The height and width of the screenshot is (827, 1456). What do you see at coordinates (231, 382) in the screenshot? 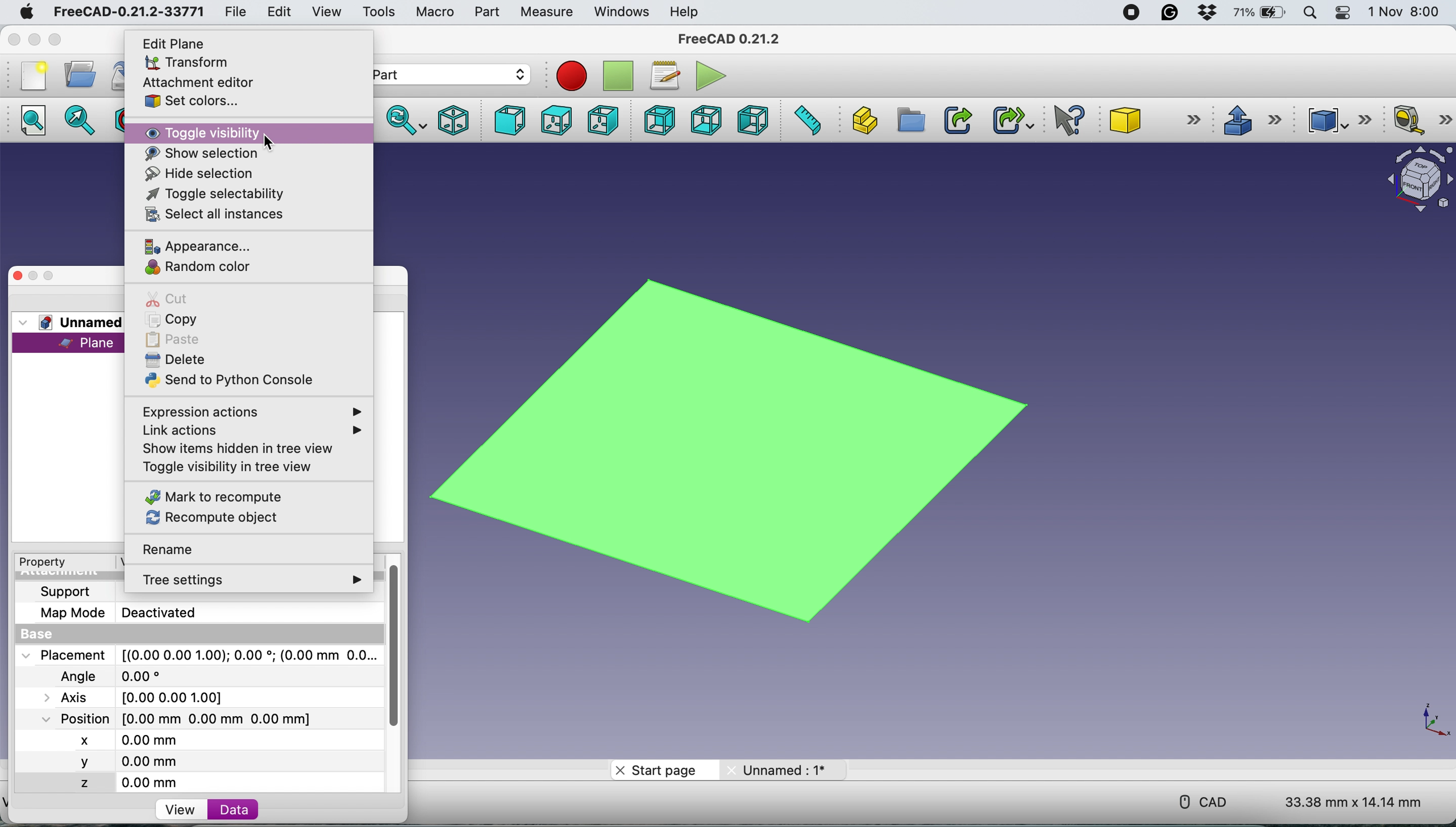
I see `send to python console` at bounding box center [231, 382].